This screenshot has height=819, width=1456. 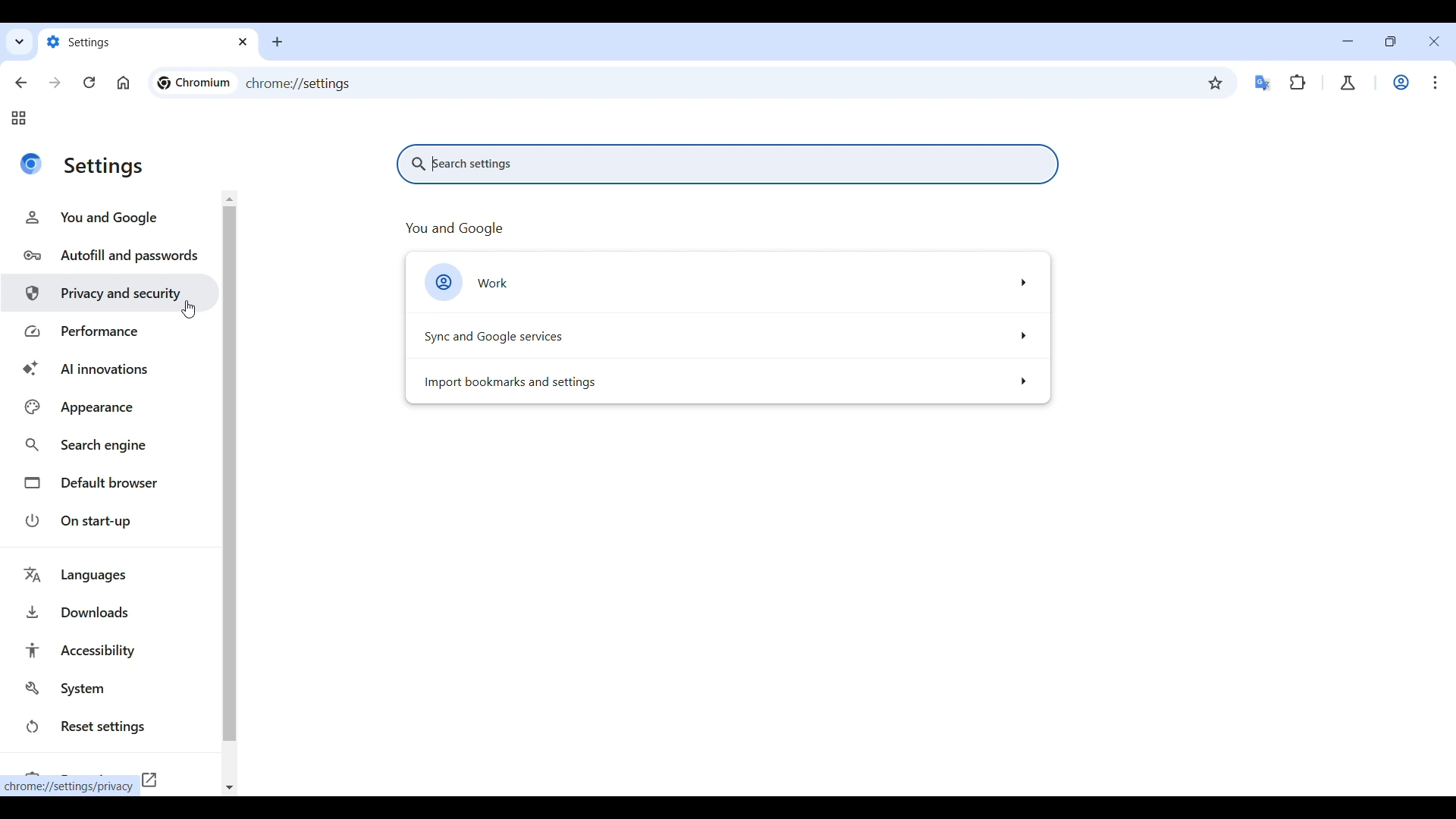 I want to click on Vertical slide bar, so click(x=230, y=474).